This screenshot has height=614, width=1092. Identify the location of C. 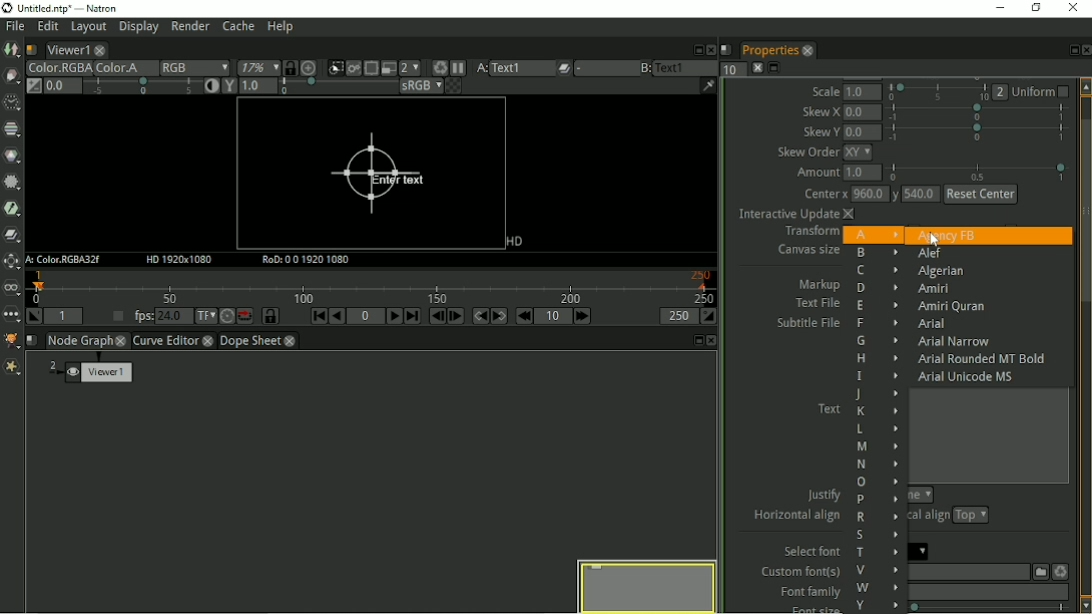
(875, 271).